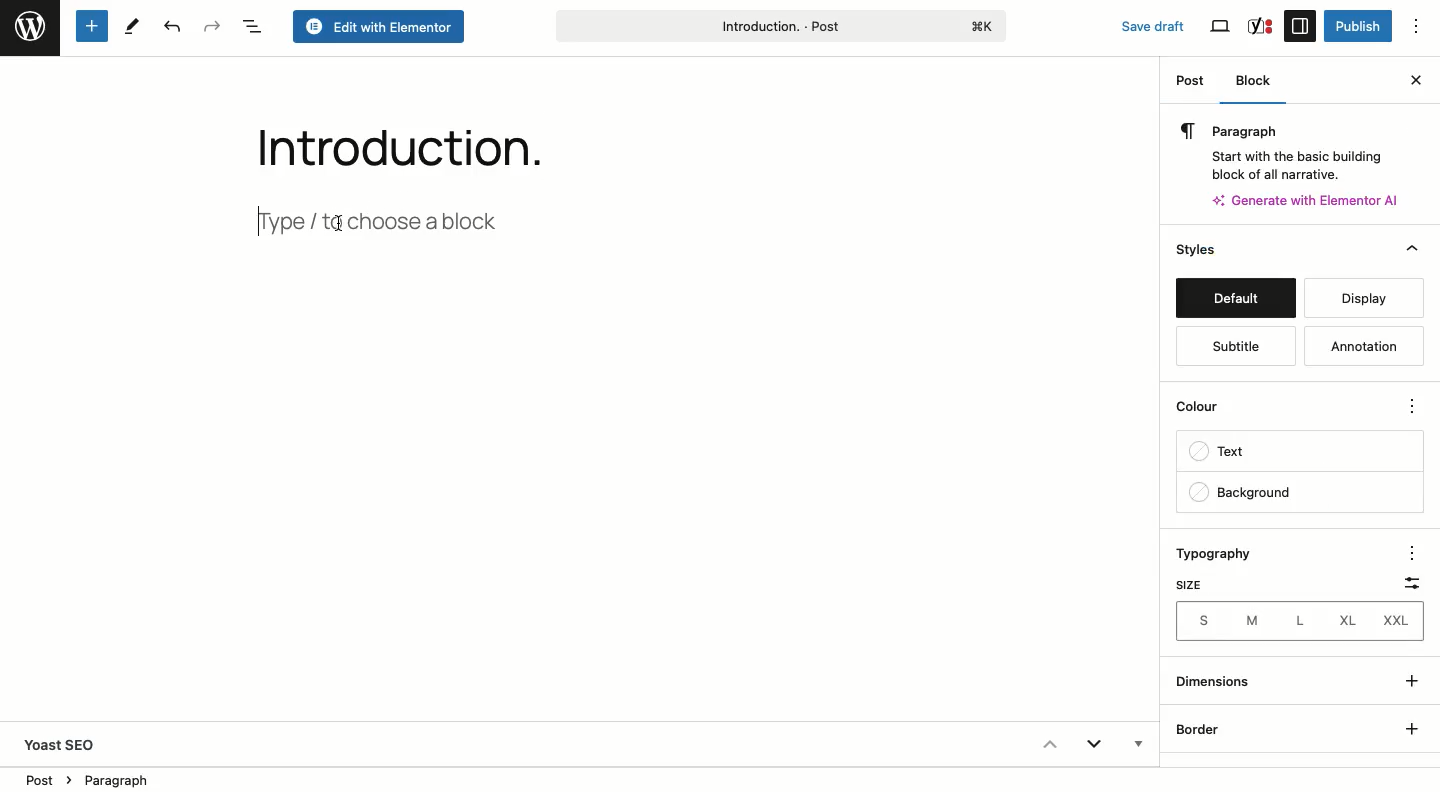 The width and height of the screenshot is (1440, 792). I want to click on Yoast SEO, so click(69, 744).